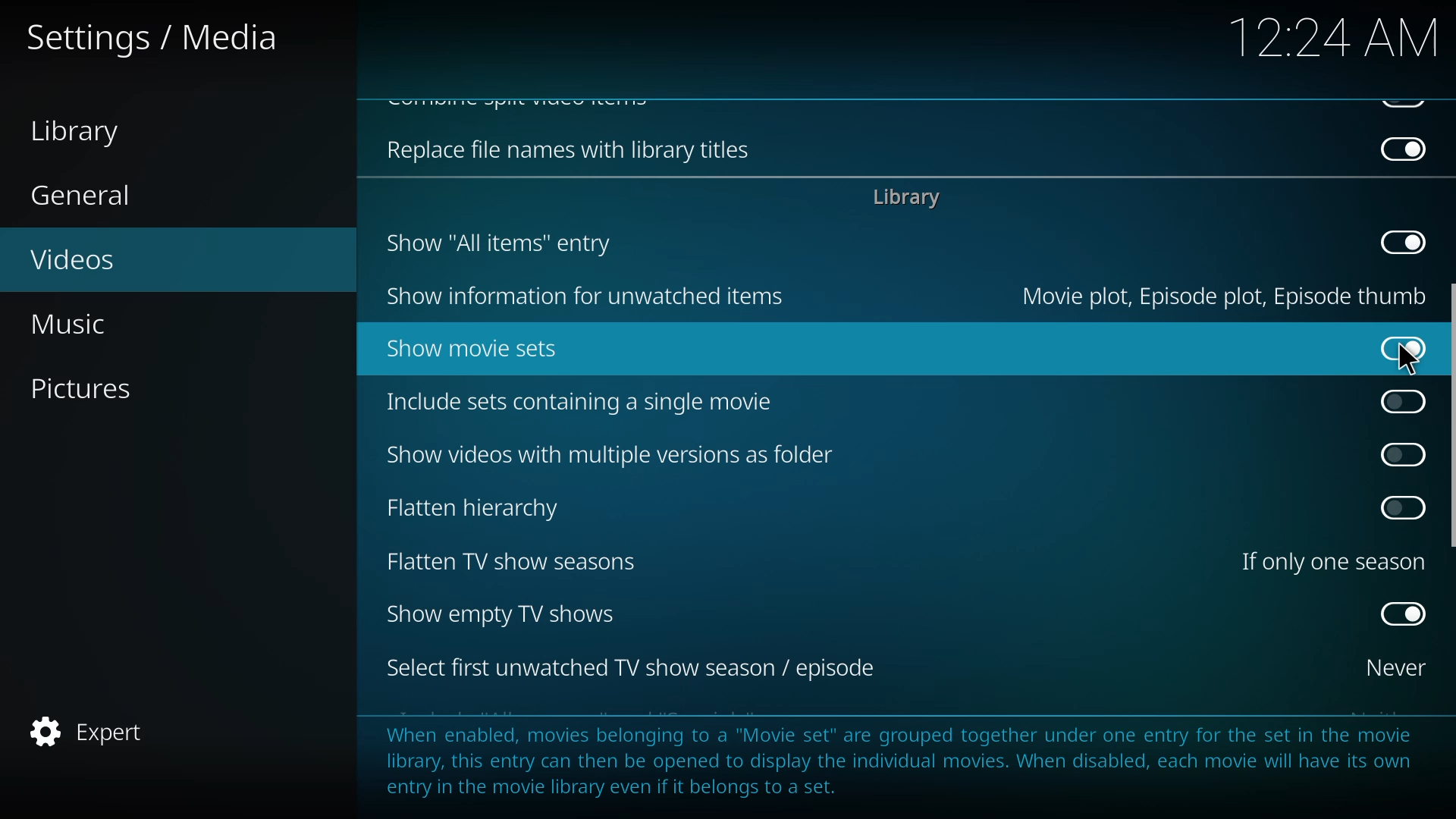 The height and width of the screenshot is (819, 1456). Describe the element at coordinates (902, 198) in the screenshot. I see `library` at that location.